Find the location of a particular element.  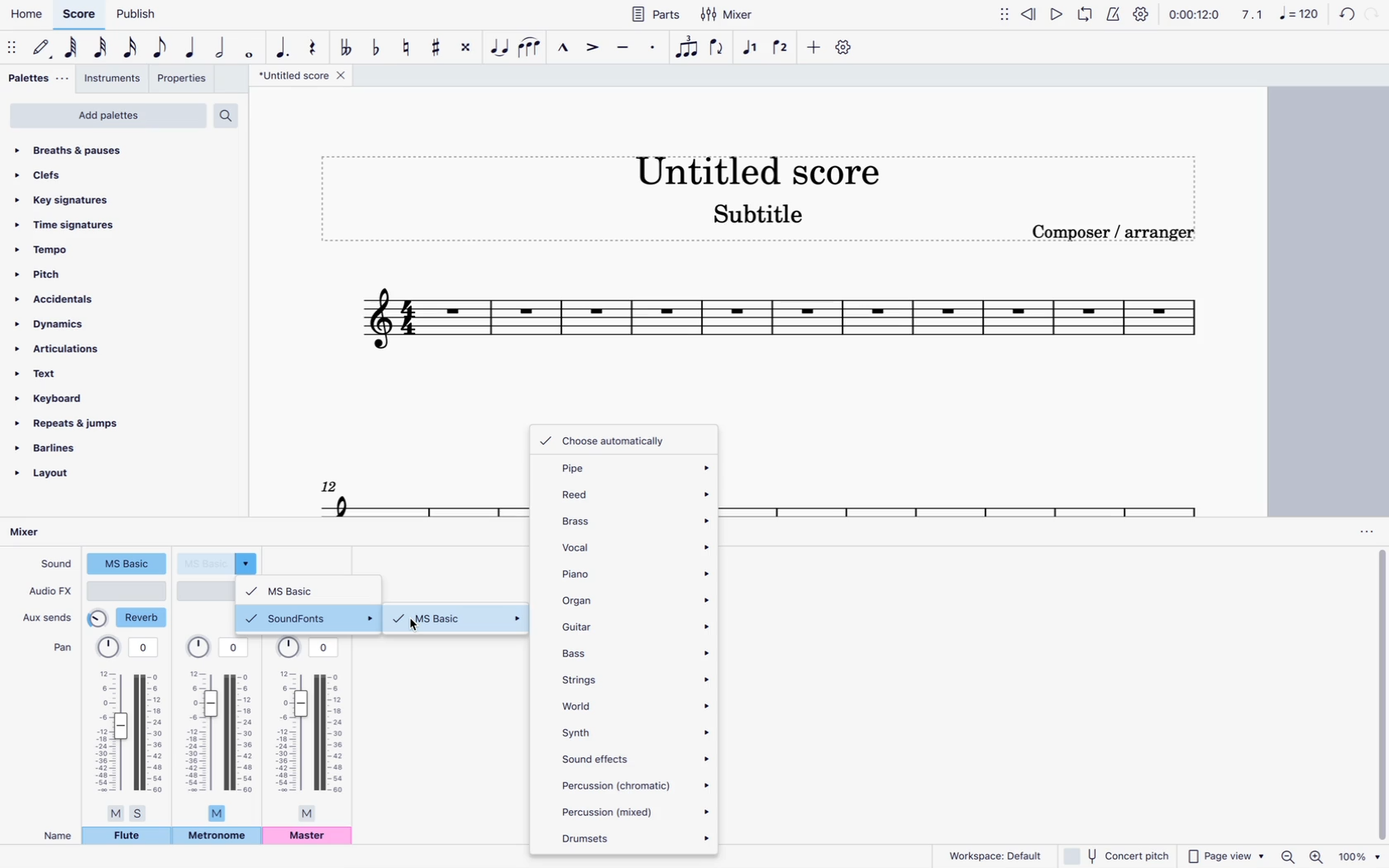

time is located at coordinates (1194, 16).